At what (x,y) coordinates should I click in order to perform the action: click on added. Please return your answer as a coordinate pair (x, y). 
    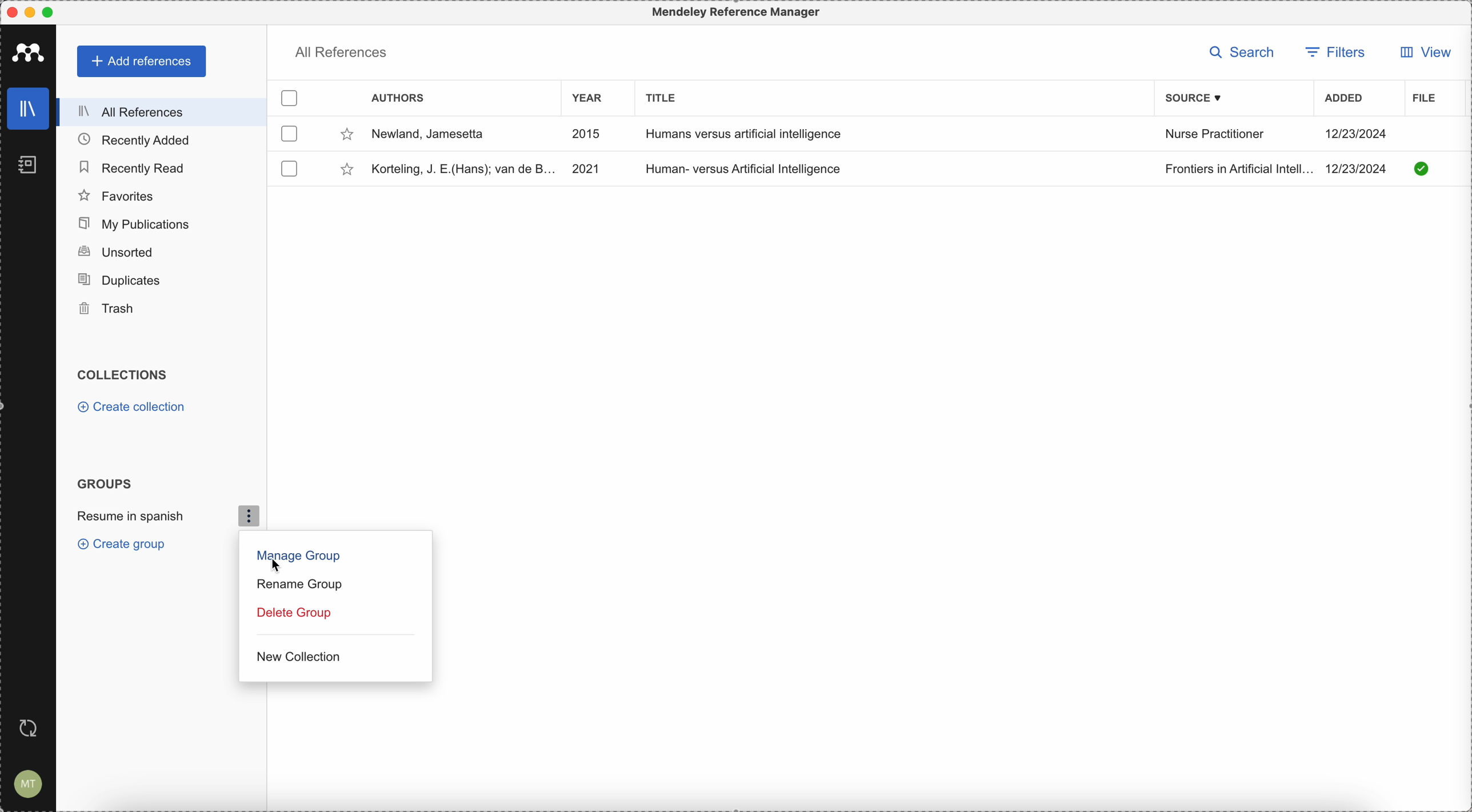
    Looking at the image, I should click on (1344, 99).